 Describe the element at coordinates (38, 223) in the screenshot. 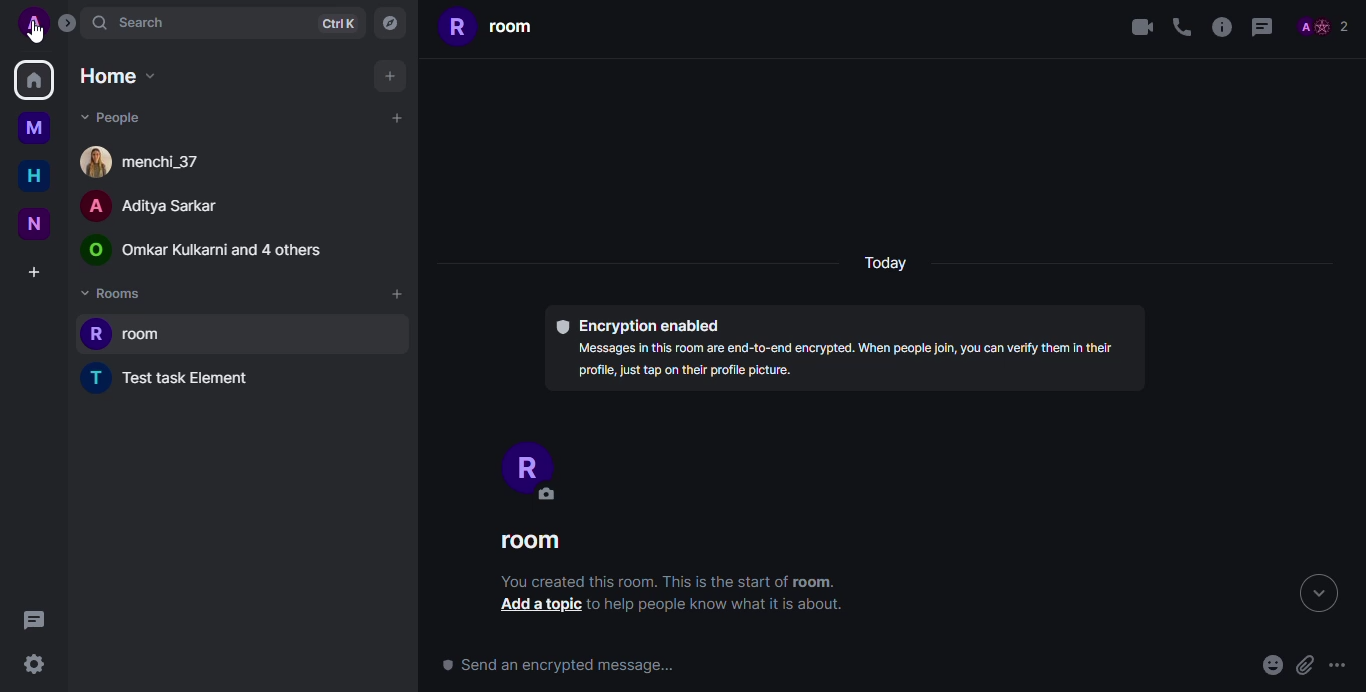

I see `new` at that location.